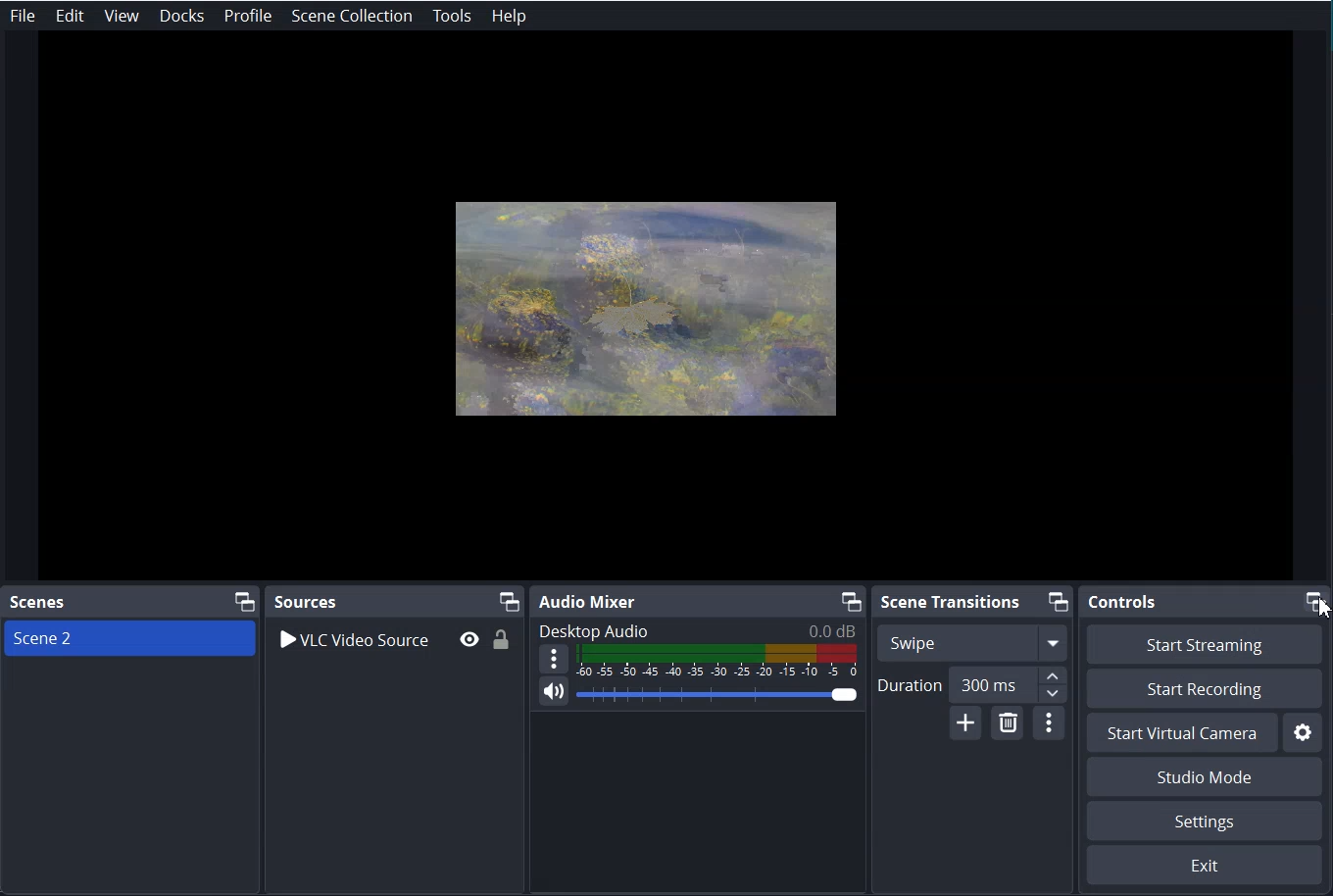 This screenshot has height=896, width=1333. What do you see at coordinates (242, 601) in the screenshot?
I see `Maximize` at bounding box center [242, 601].